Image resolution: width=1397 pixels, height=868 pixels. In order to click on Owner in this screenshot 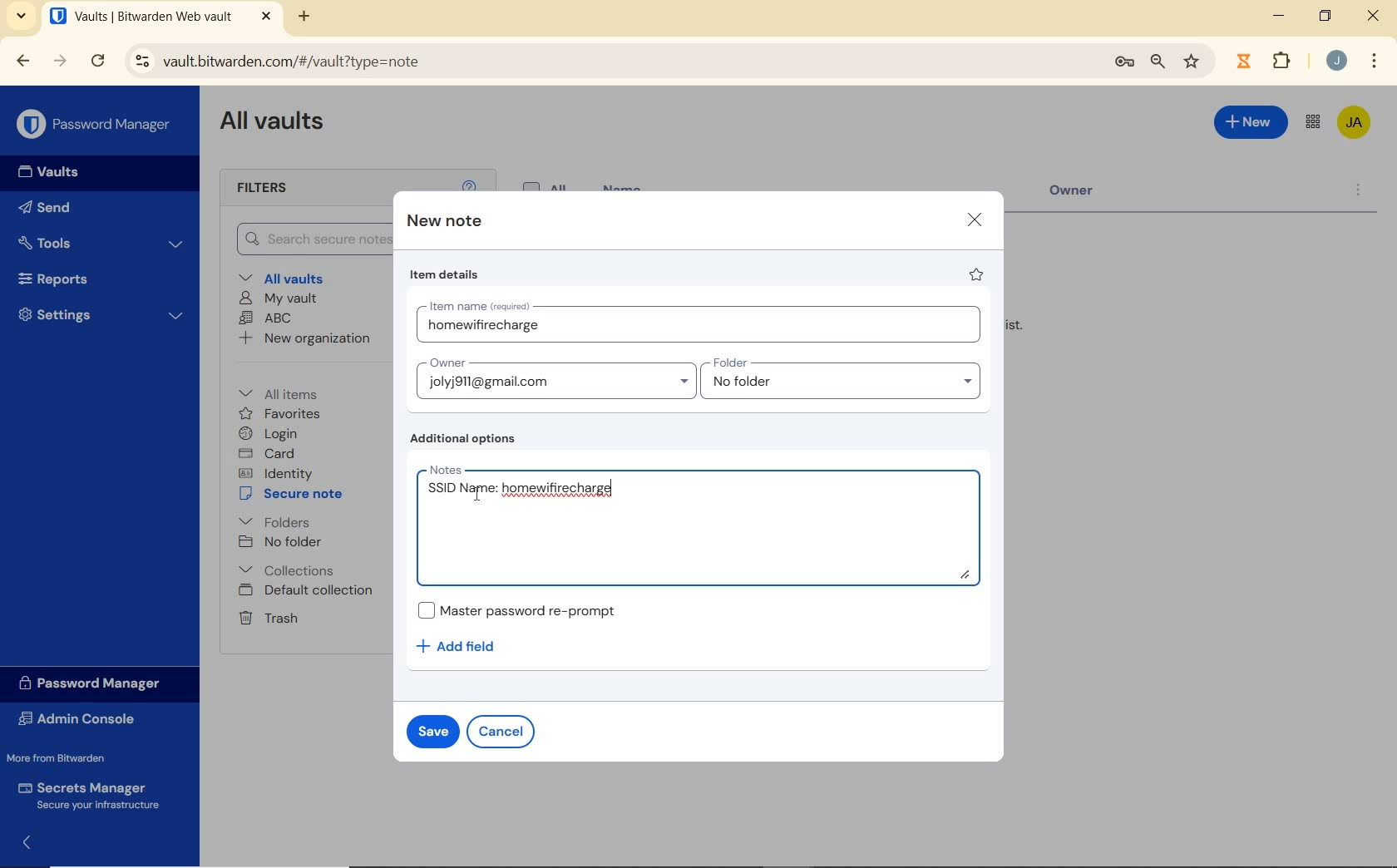, I will do `click(555, 377)`.